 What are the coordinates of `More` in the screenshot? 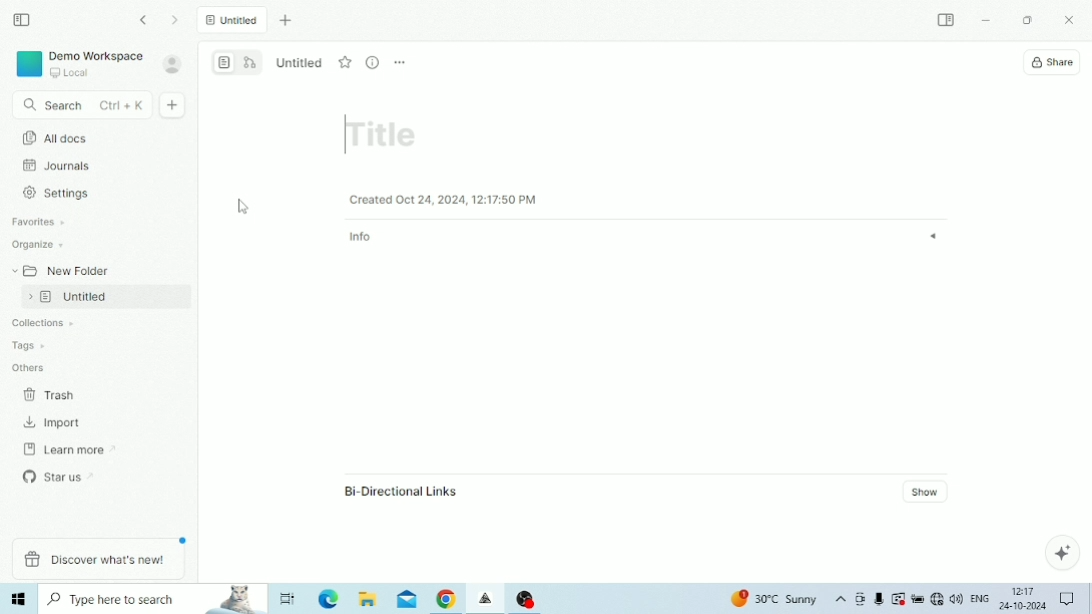 It's located at (400, 63).